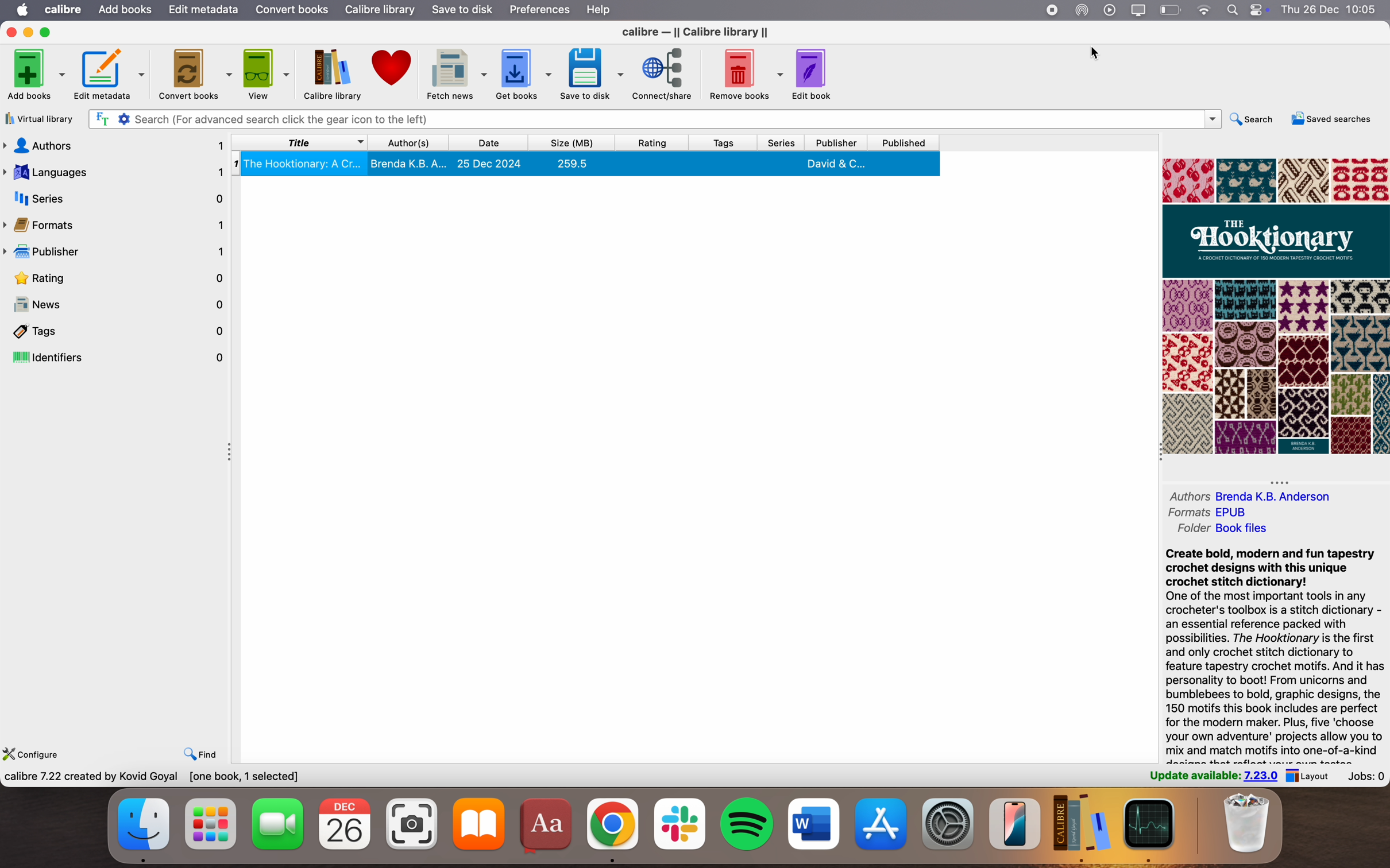  What do you see at coordinates (604, 10) in the screenshot?
I see `Help` at bounding box center [604, 10].